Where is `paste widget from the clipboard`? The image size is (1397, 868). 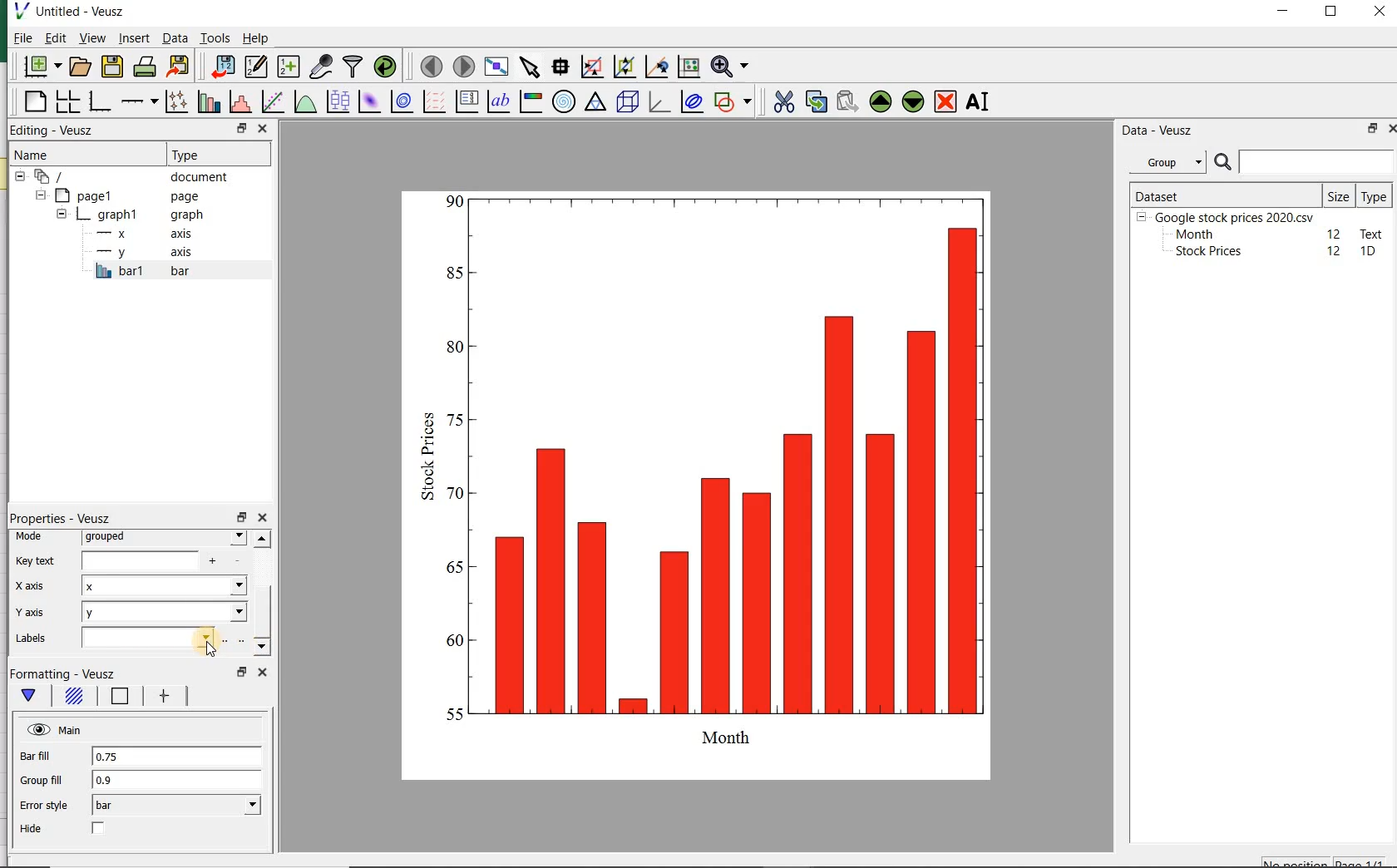
paste widget from the clipboard is located at coordinates (847, 102).